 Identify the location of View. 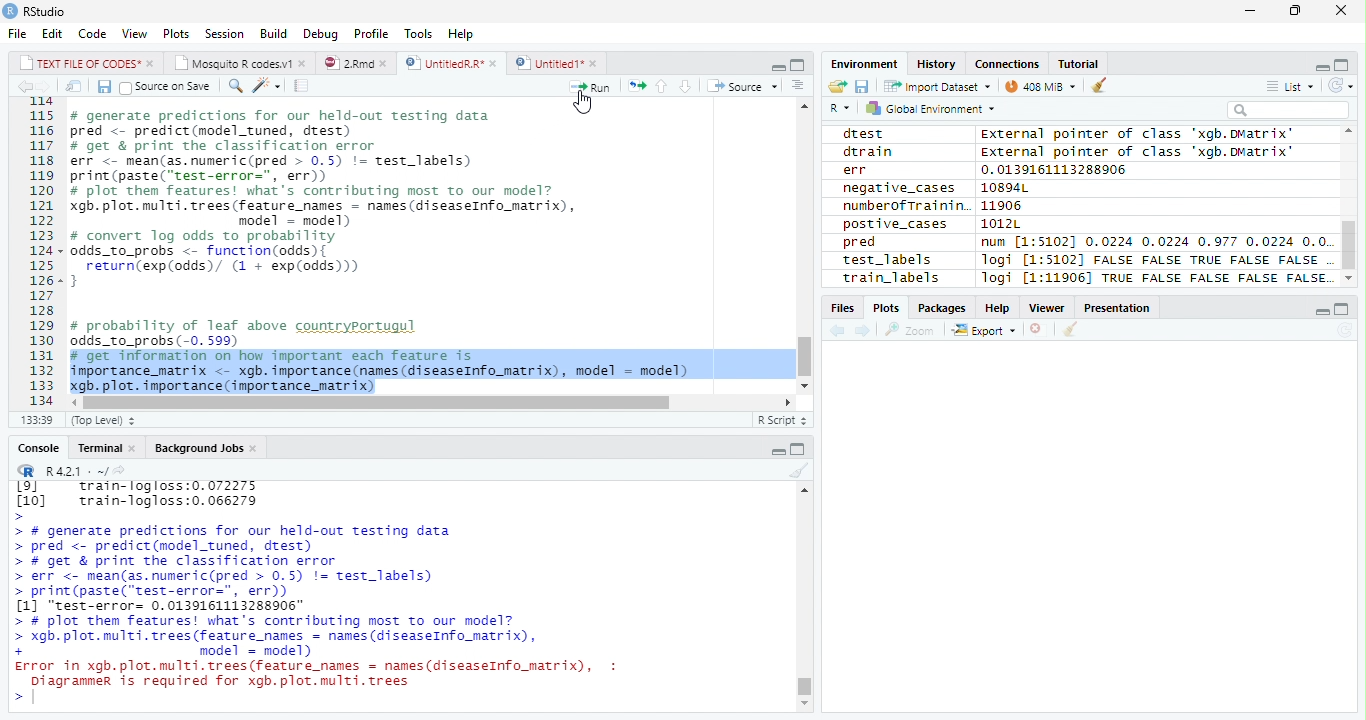
(134, 34).